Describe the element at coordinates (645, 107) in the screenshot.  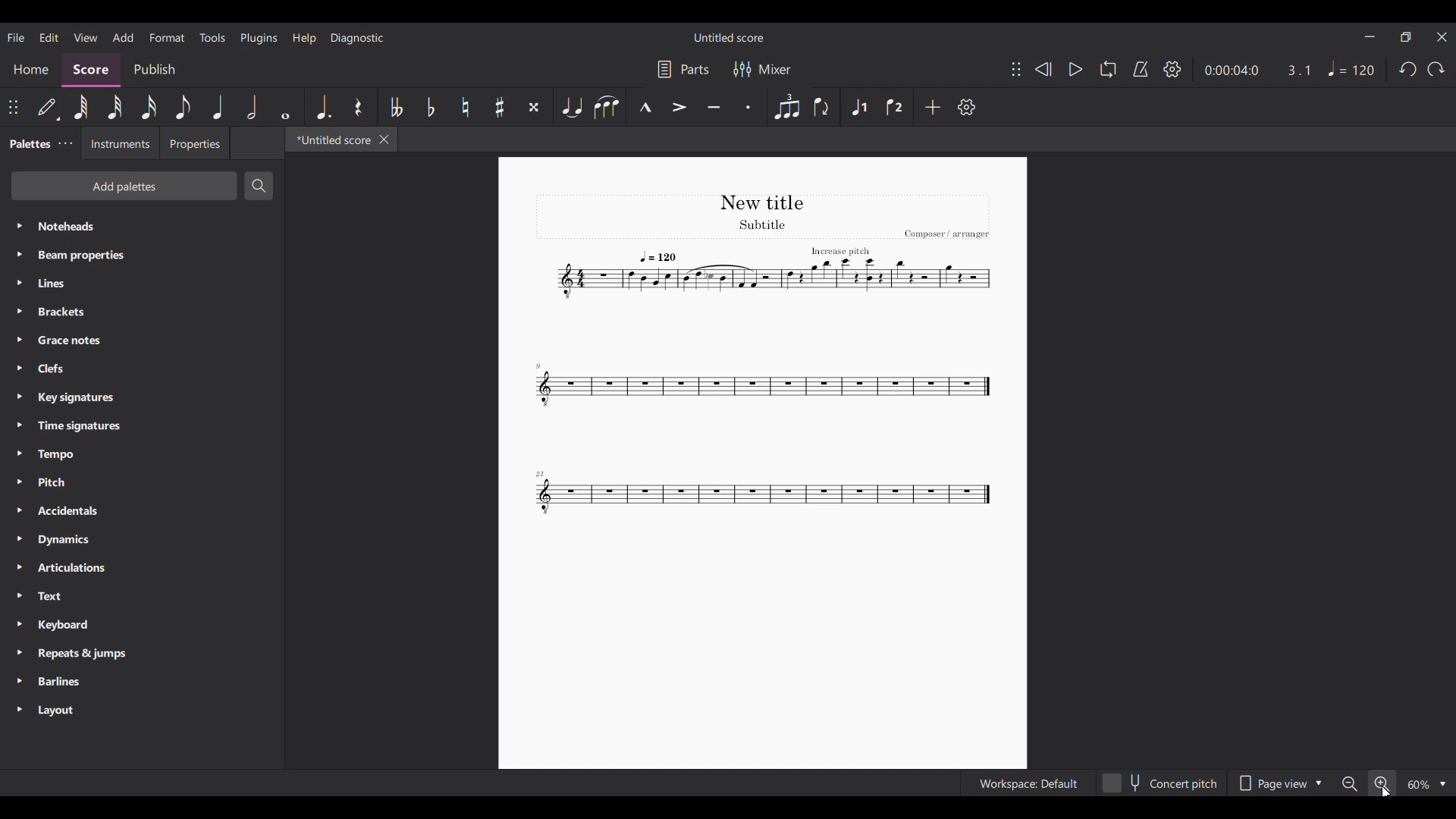
I see `Marcato` at that location.